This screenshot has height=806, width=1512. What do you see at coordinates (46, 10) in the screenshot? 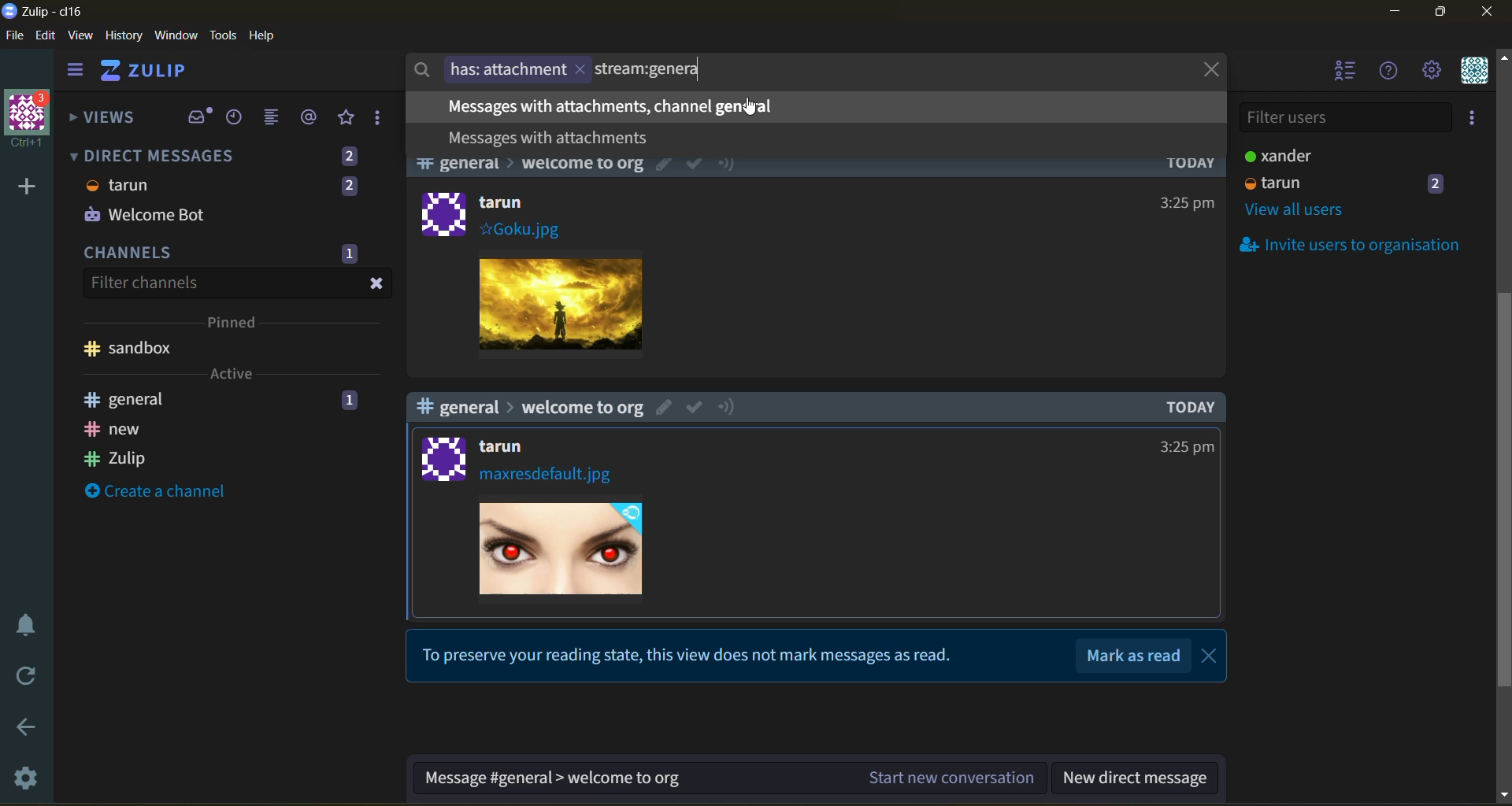
I see `Zulip-cl16` at bounding box center [46, 10].